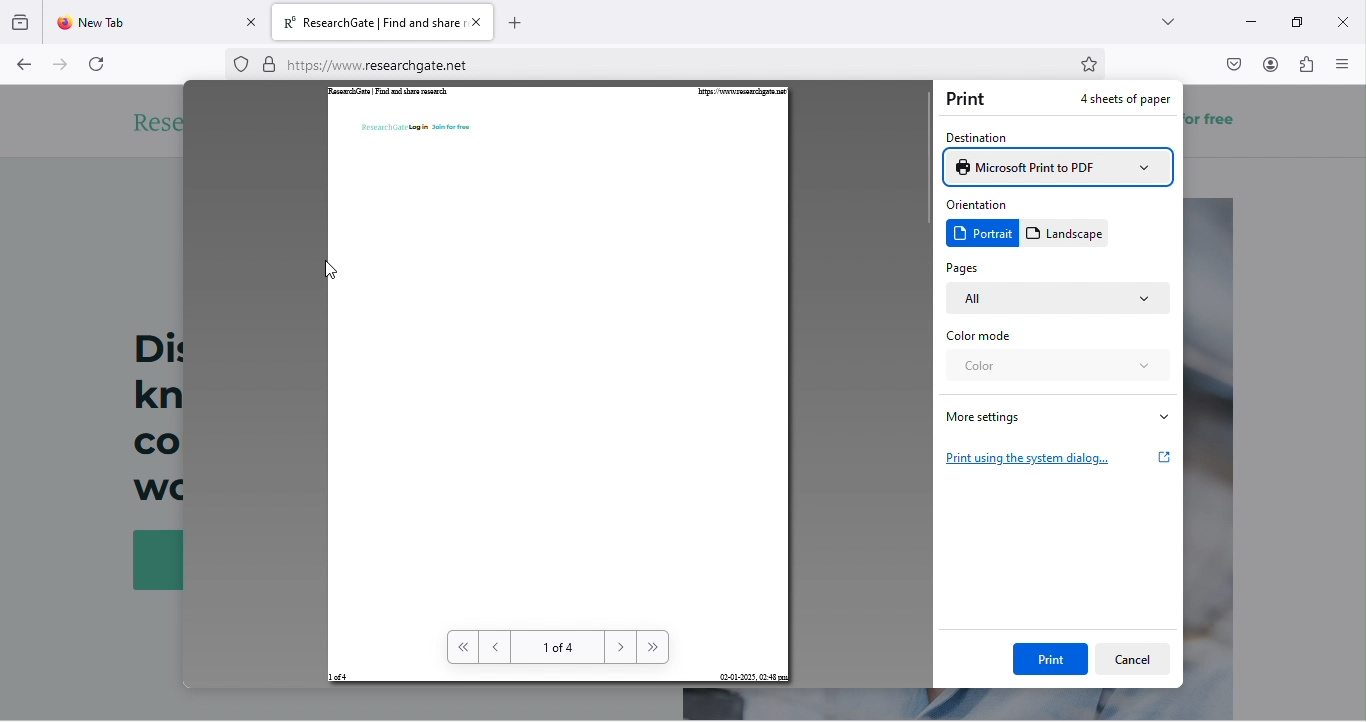 The image size is (1366, 722). I want to click on refresh, so click(103, 64).